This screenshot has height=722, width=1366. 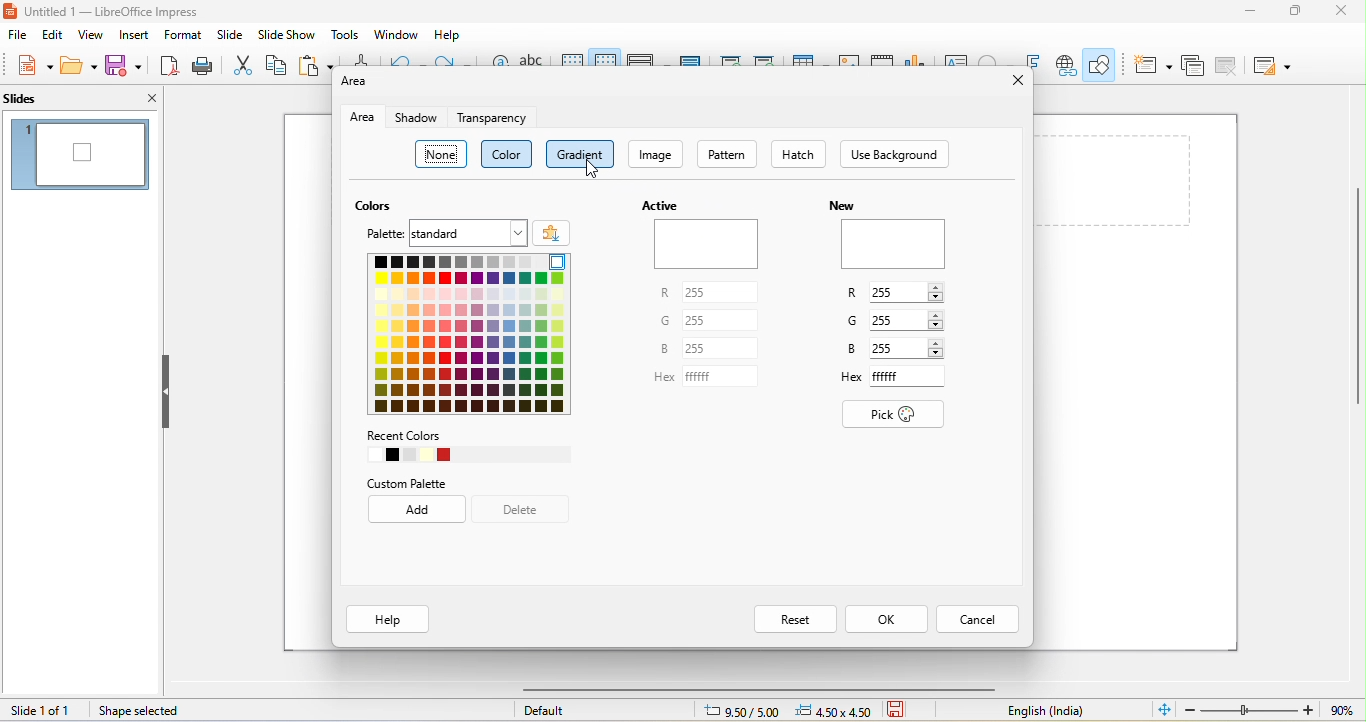 I want to click on 255, so click(x=725, y=293).